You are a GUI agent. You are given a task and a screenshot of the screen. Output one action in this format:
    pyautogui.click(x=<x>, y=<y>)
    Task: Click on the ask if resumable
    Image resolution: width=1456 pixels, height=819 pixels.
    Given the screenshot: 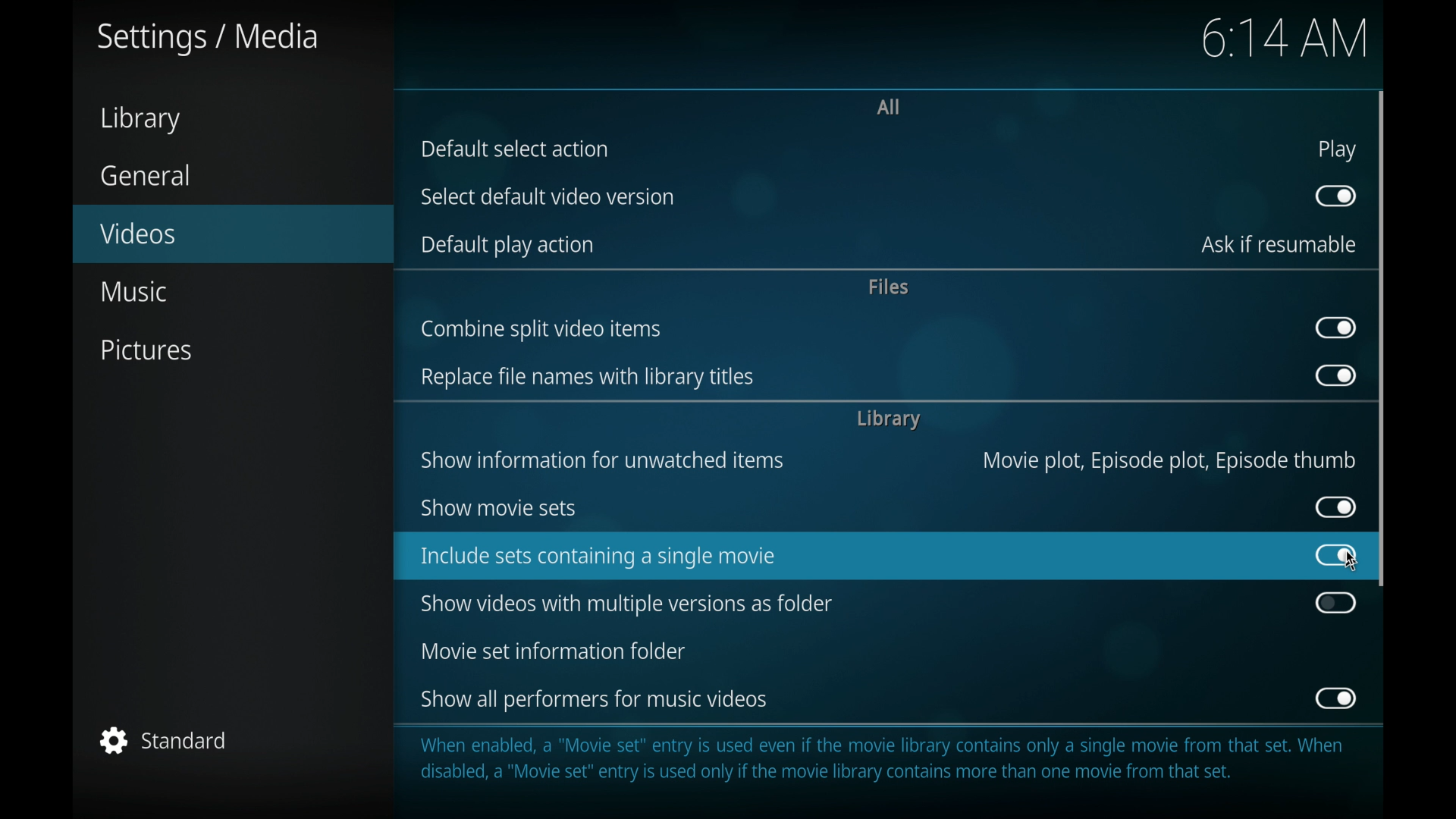 What is the action you would take?
    pyautogui.click(x=1279, y=245)
    